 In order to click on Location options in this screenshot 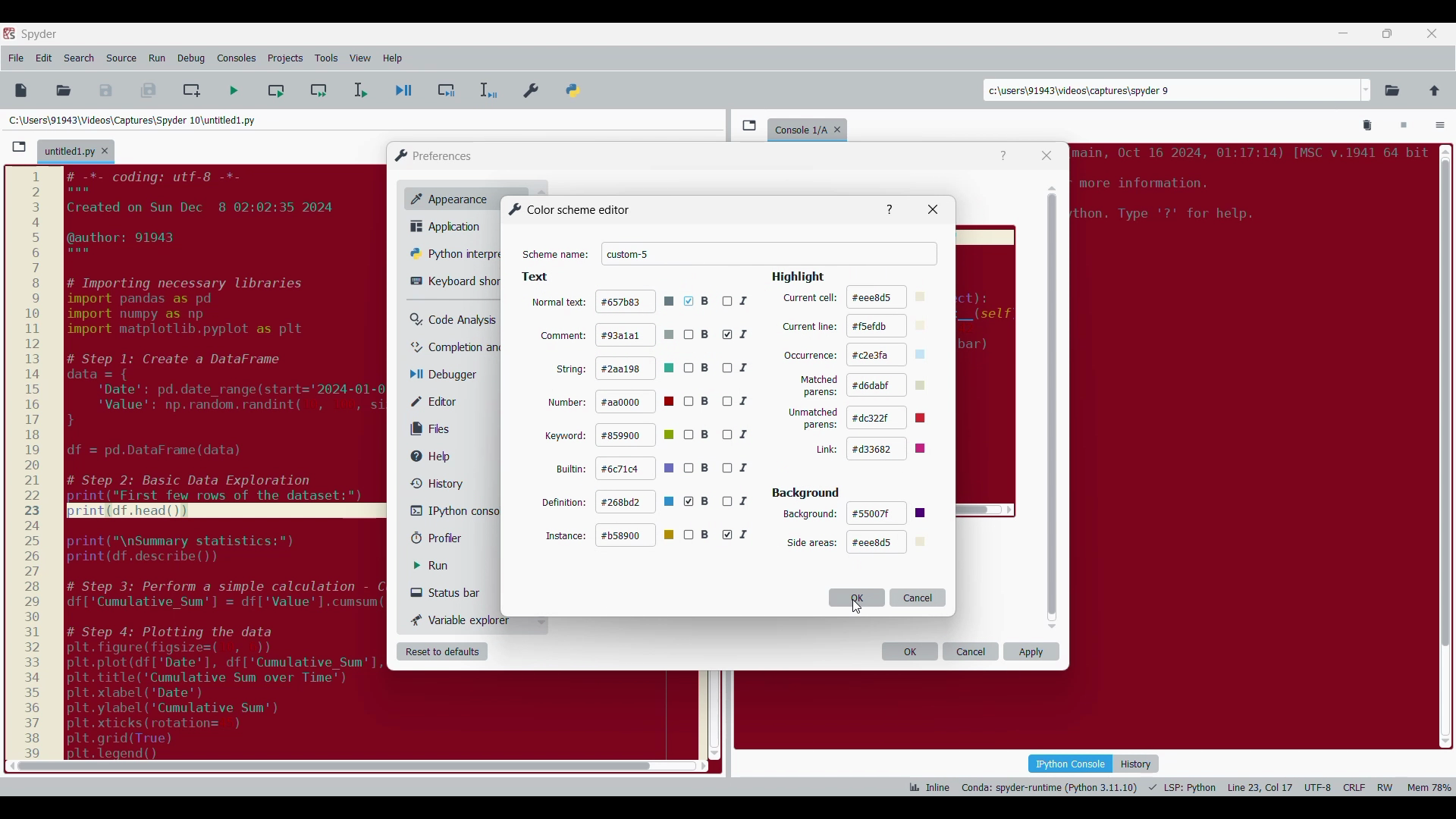, I will do `click(1367, 90)`.